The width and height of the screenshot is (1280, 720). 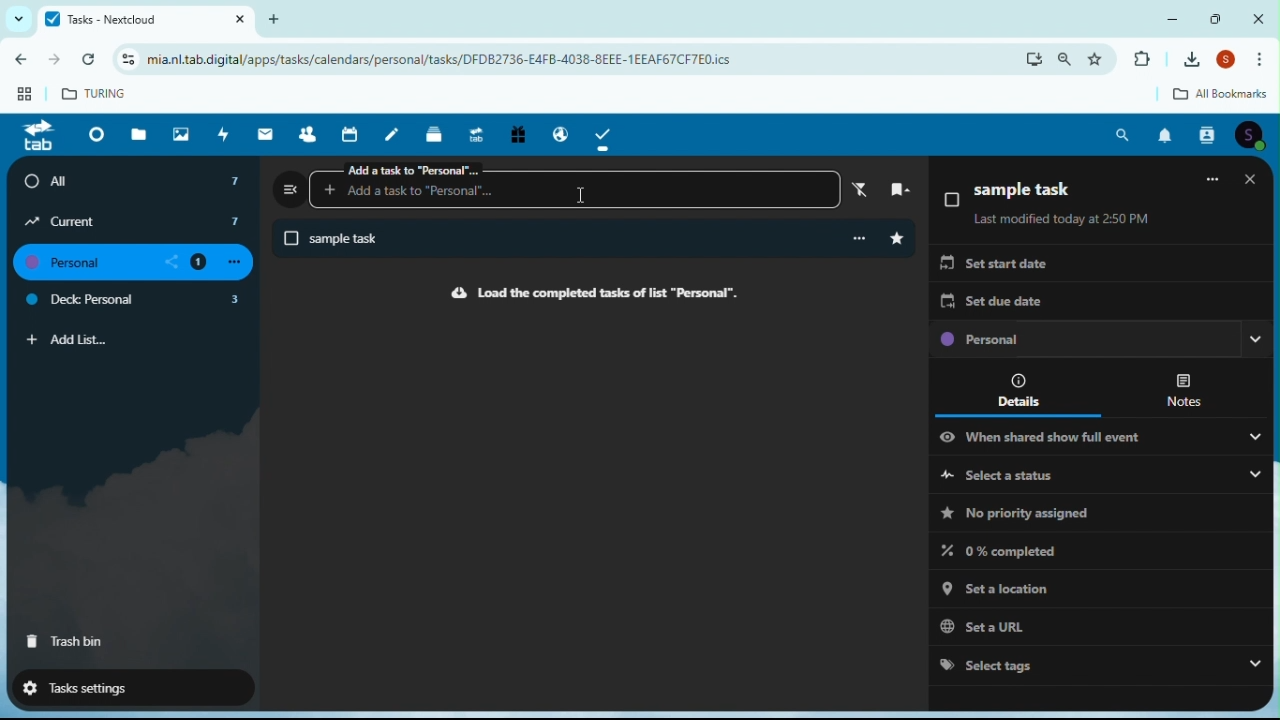 What do you see at coordinates (134, 221) in the screenshot?
I see `current` at bounding box center [134, 221].